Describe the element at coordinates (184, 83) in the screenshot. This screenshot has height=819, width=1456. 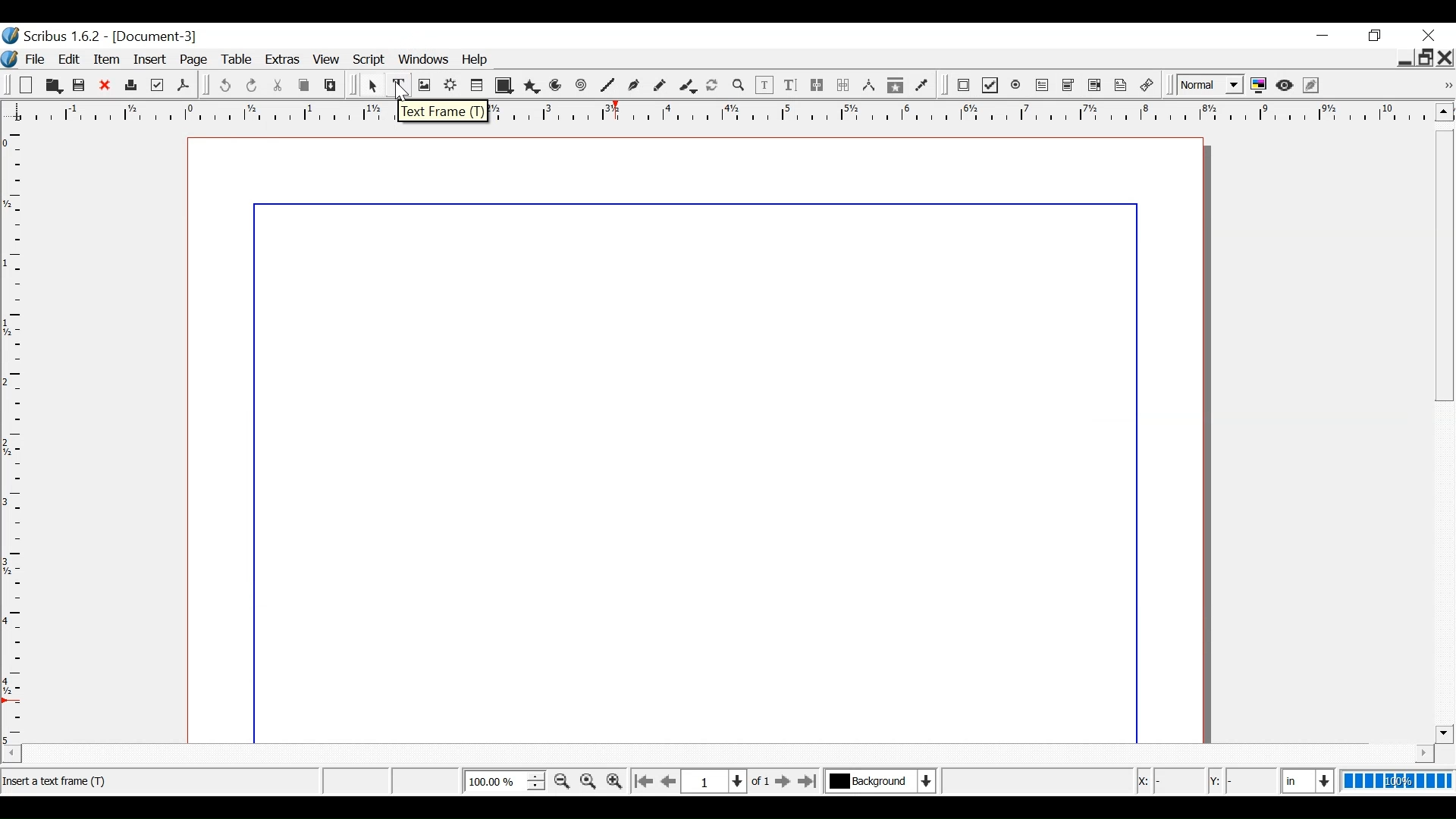
I see `Save as PDF` at that location.